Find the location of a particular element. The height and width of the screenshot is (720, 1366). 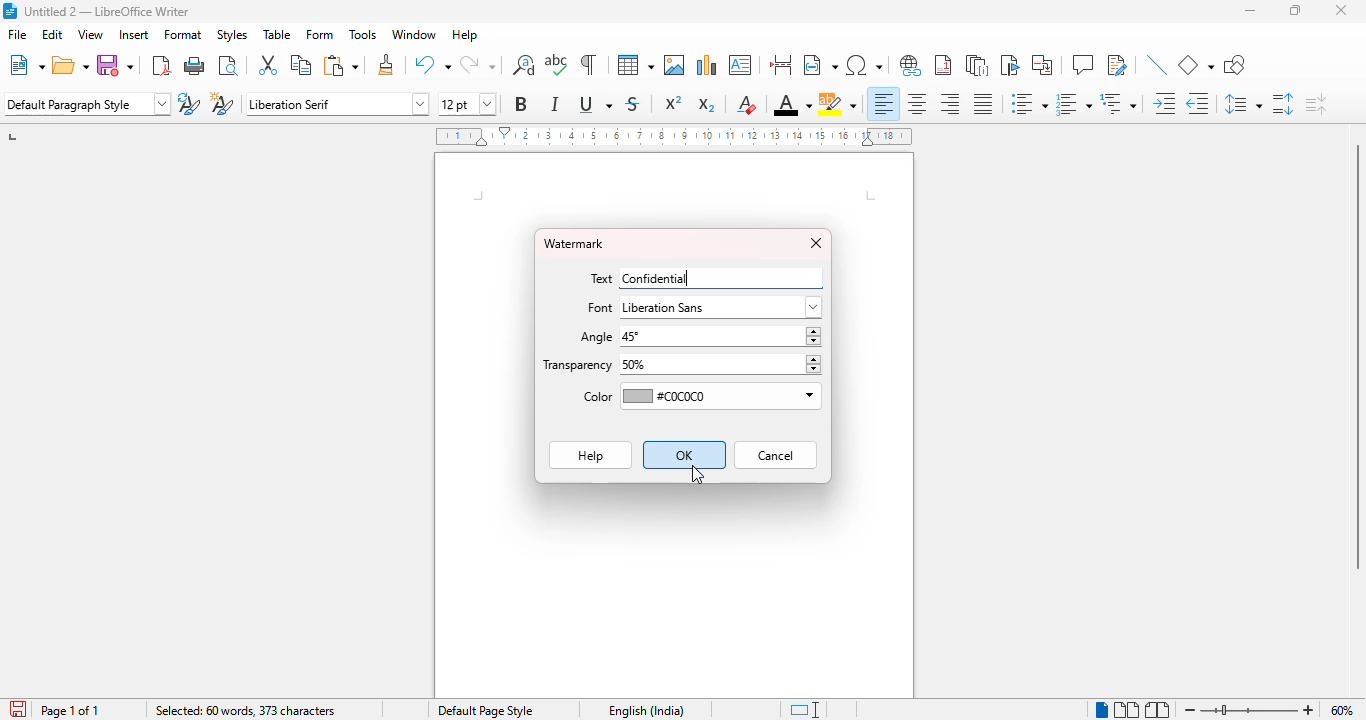

insert field is located at coordinates (820, 65).